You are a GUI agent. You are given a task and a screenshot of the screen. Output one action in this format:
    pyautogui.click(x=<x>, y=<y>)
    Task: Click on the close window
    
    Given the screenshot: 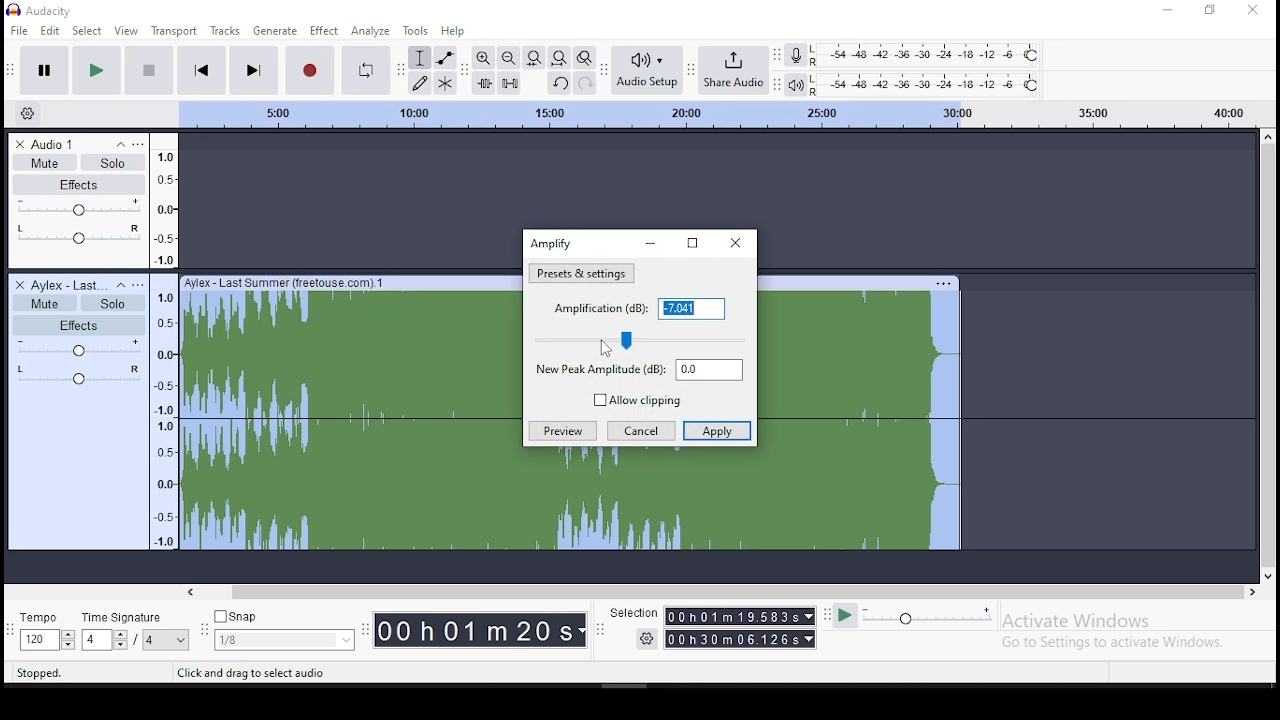 What is the action you would take?
    pyautogui.click(x=1254, y=12)
    